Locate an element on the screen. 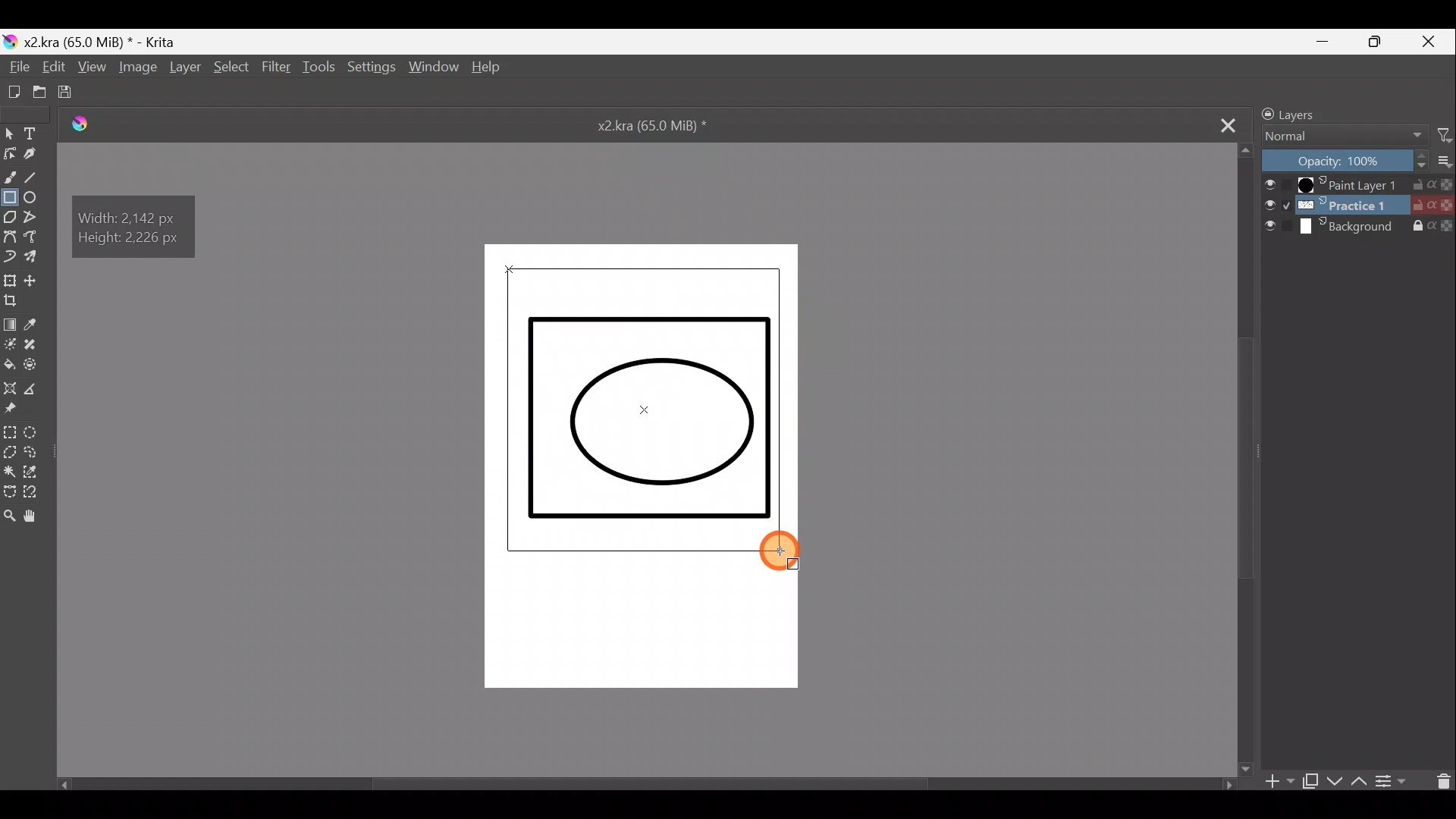  Enclose & fill tool is located at coordinates (37, 366).